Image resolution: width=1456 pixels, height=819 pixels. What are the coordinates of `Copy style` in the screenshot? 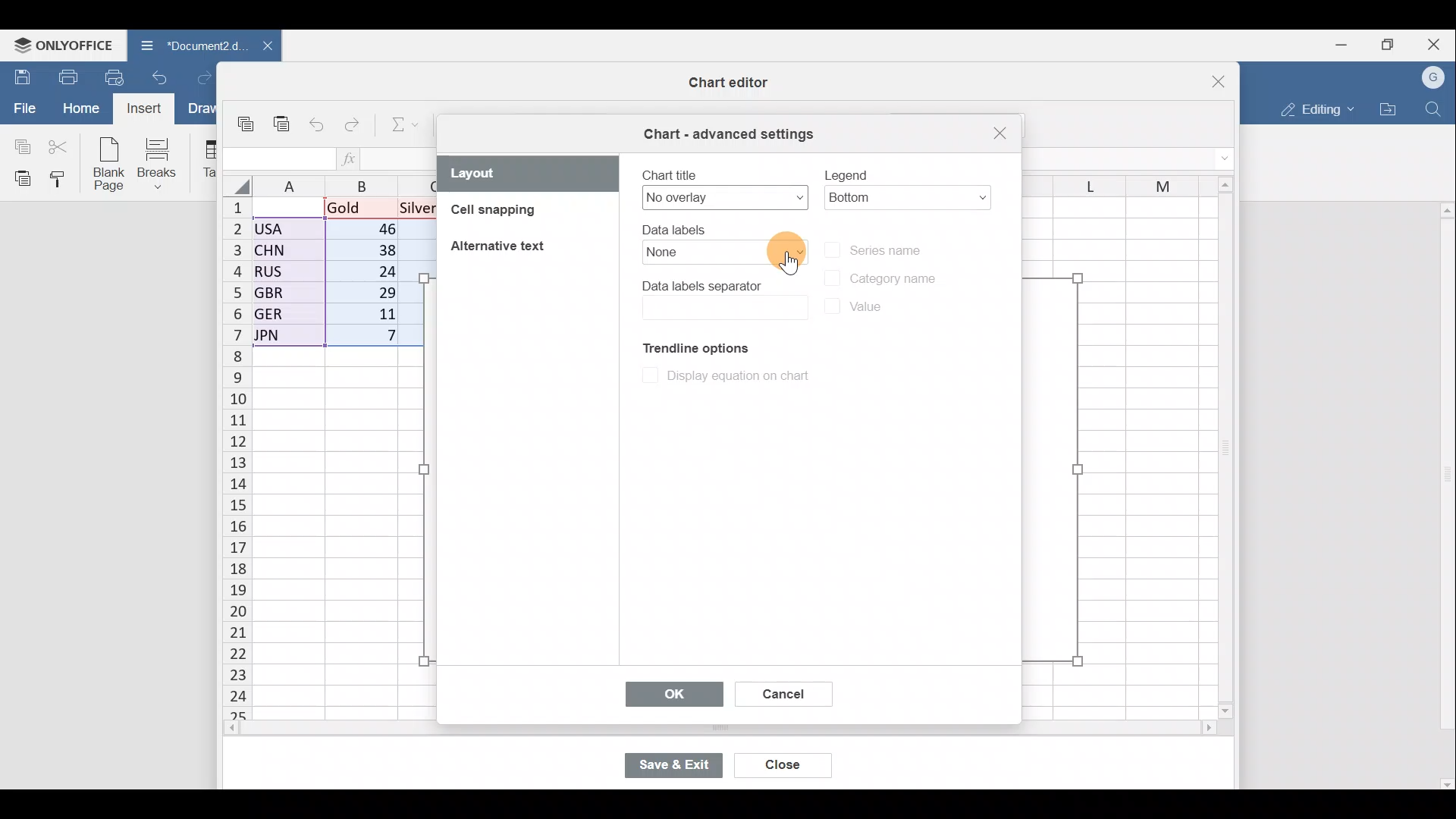 It's located at (64, 178).